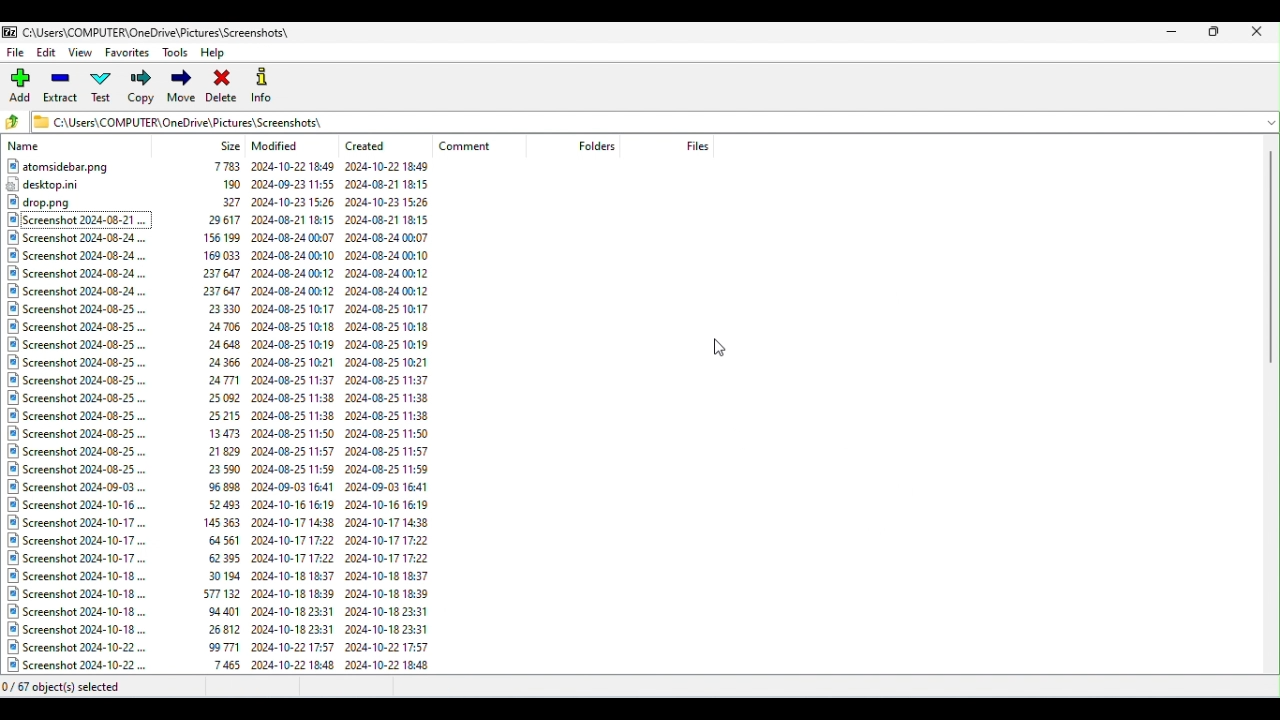 Image resolution: width=1280 pixels, height=720 pixels. I want to click on Created, so click(372, 142).